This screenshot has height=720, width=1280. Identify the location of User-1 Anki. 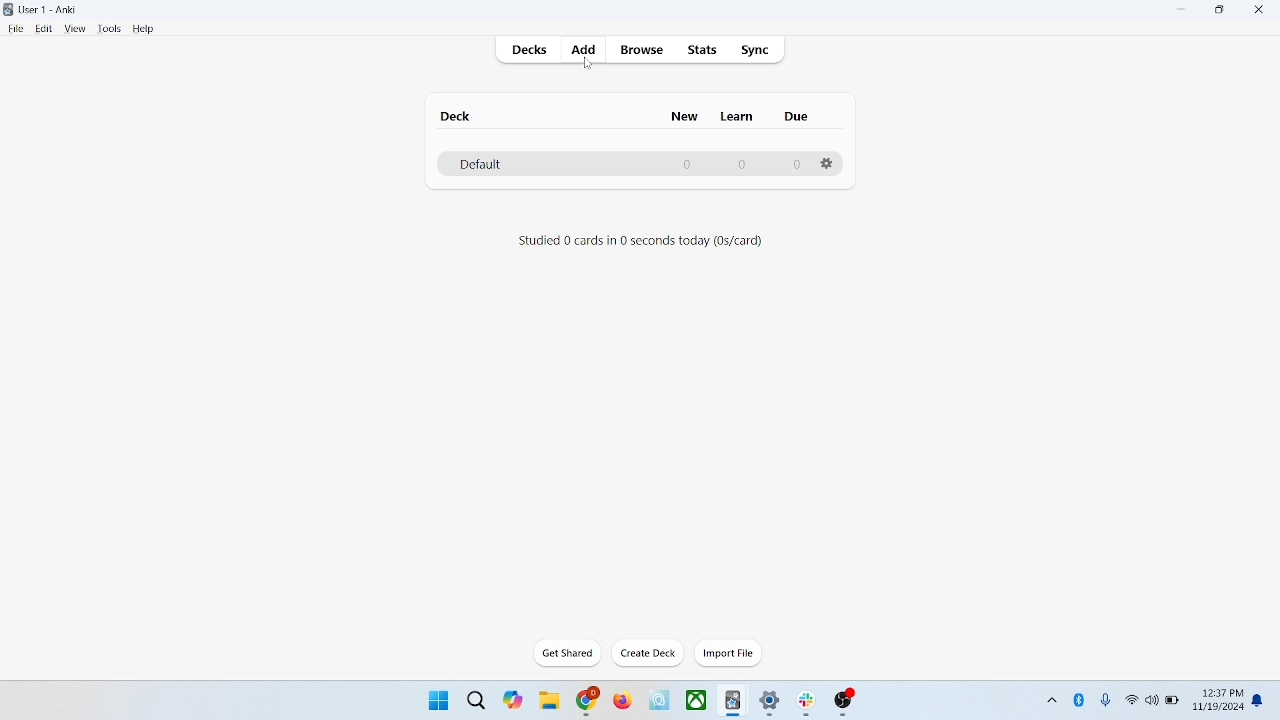
(52, 10).